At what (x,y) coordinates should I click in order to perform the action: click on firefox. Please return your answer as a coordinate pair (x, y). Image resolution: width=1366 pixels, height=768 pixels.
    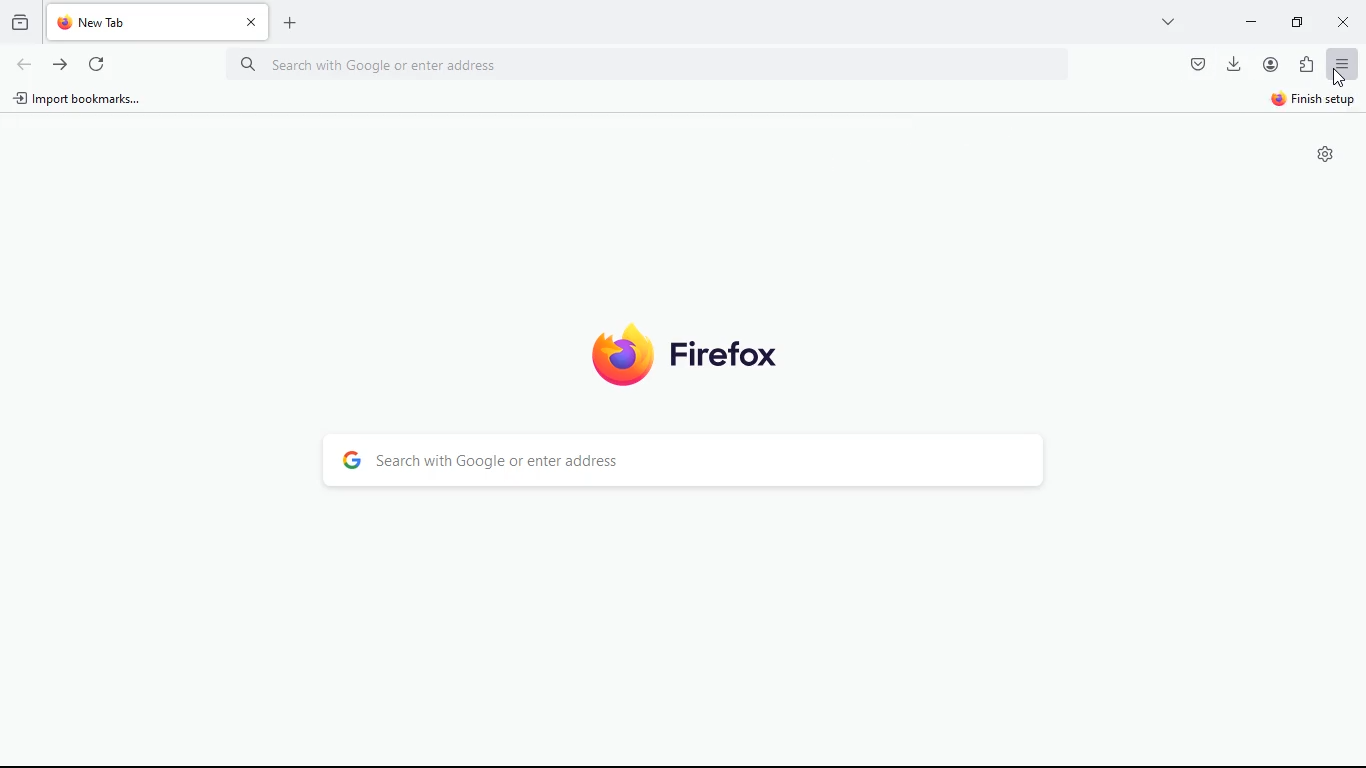
    Looking at the image, I should click on (685, 353).